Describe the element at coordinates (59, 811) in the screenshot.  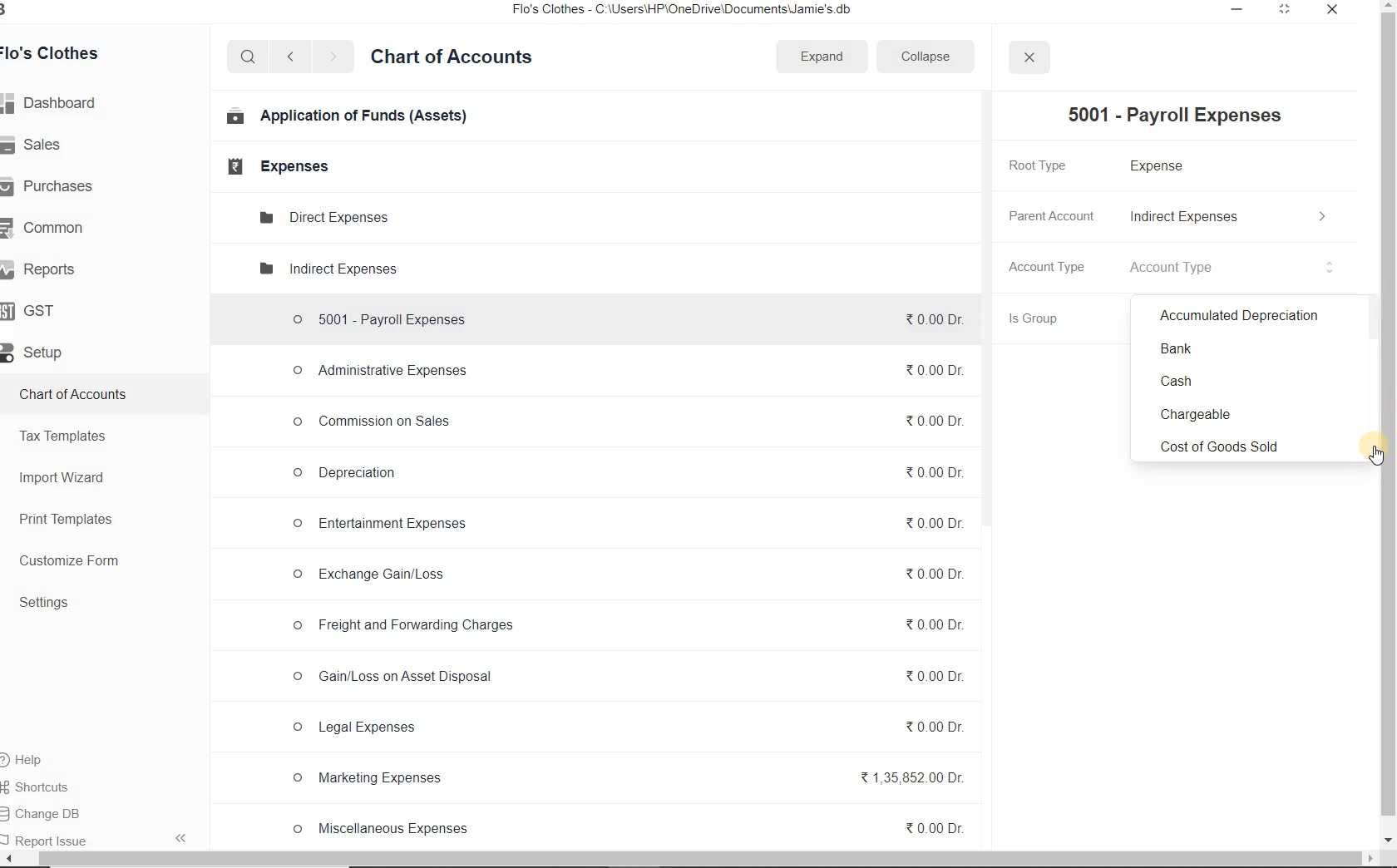
I see ` Change DB` at that location.